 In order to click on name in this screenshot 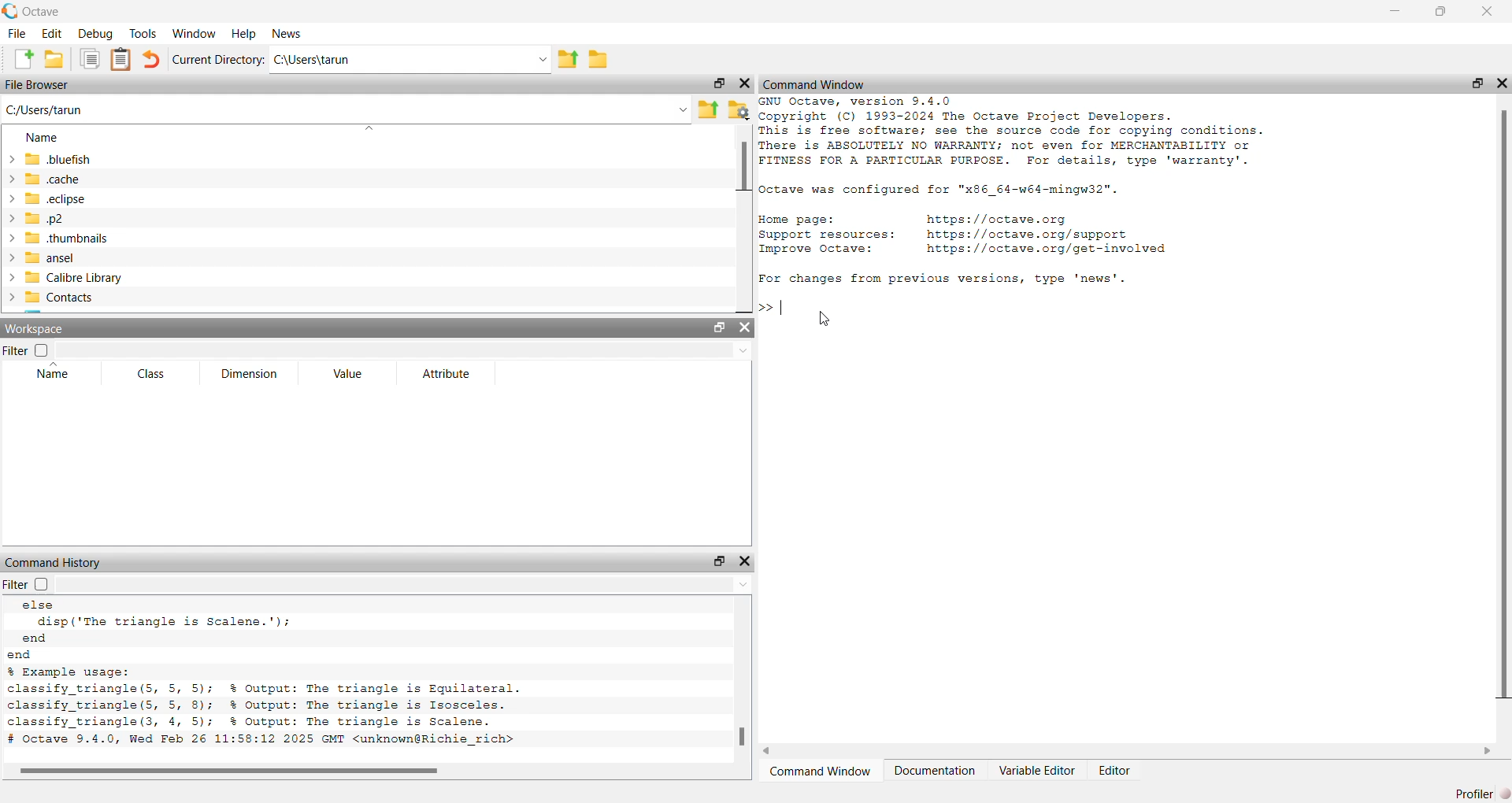, I will do `click(57, 375)`.